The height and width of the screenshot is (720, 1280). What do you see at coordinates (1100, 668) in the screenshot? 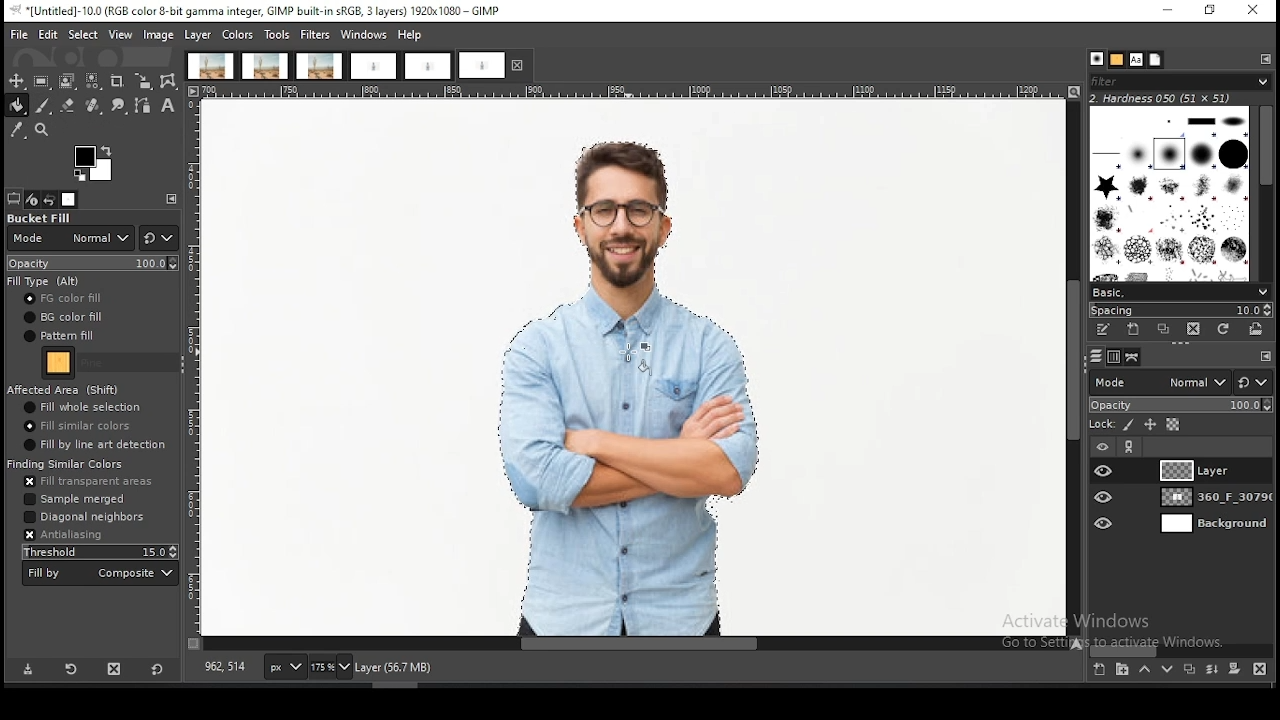
I see `create a new layer` at bounding box center [1100, 668].